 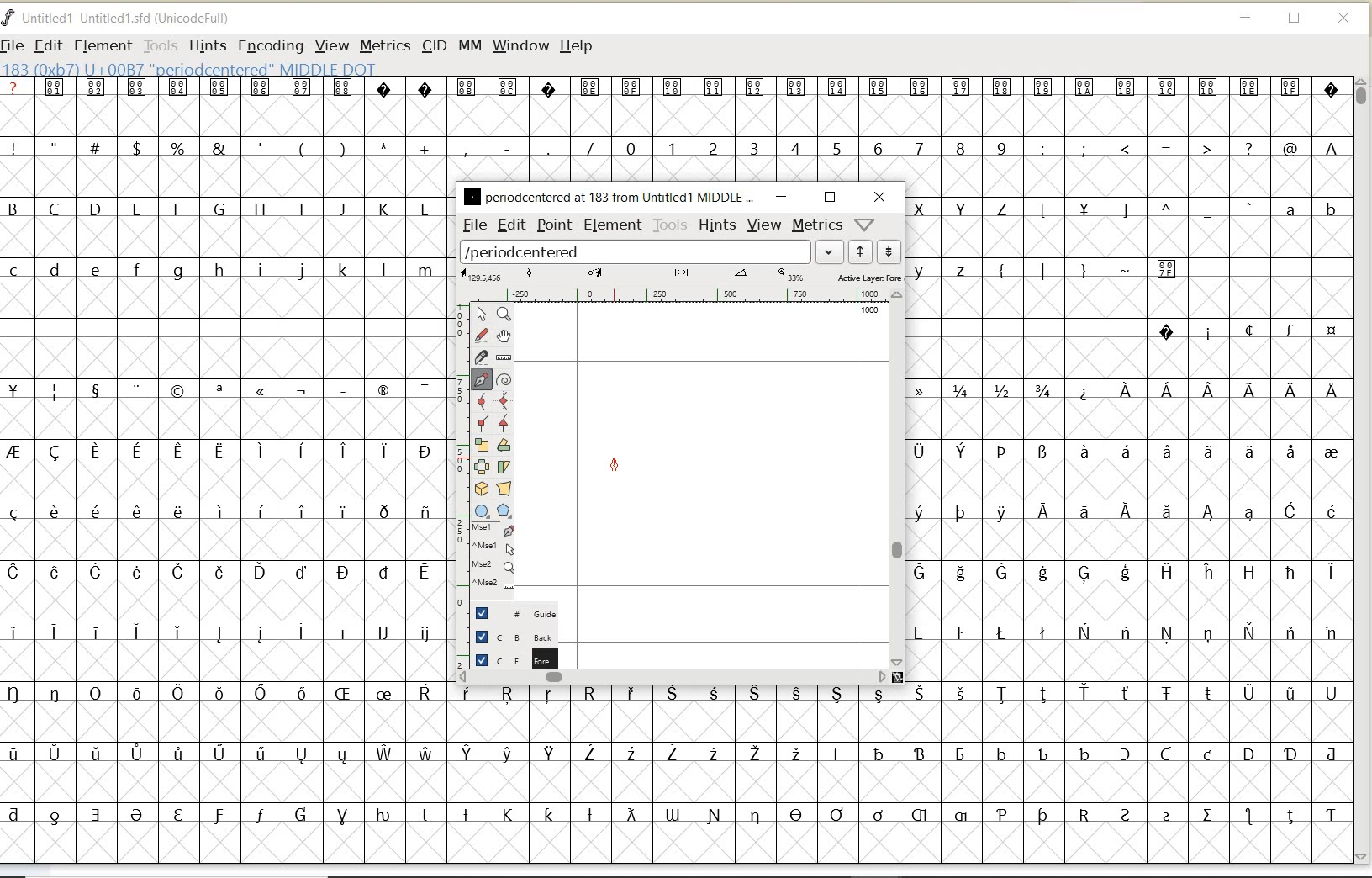 I want to click on Add a corner point, so click(x=481, y=422).